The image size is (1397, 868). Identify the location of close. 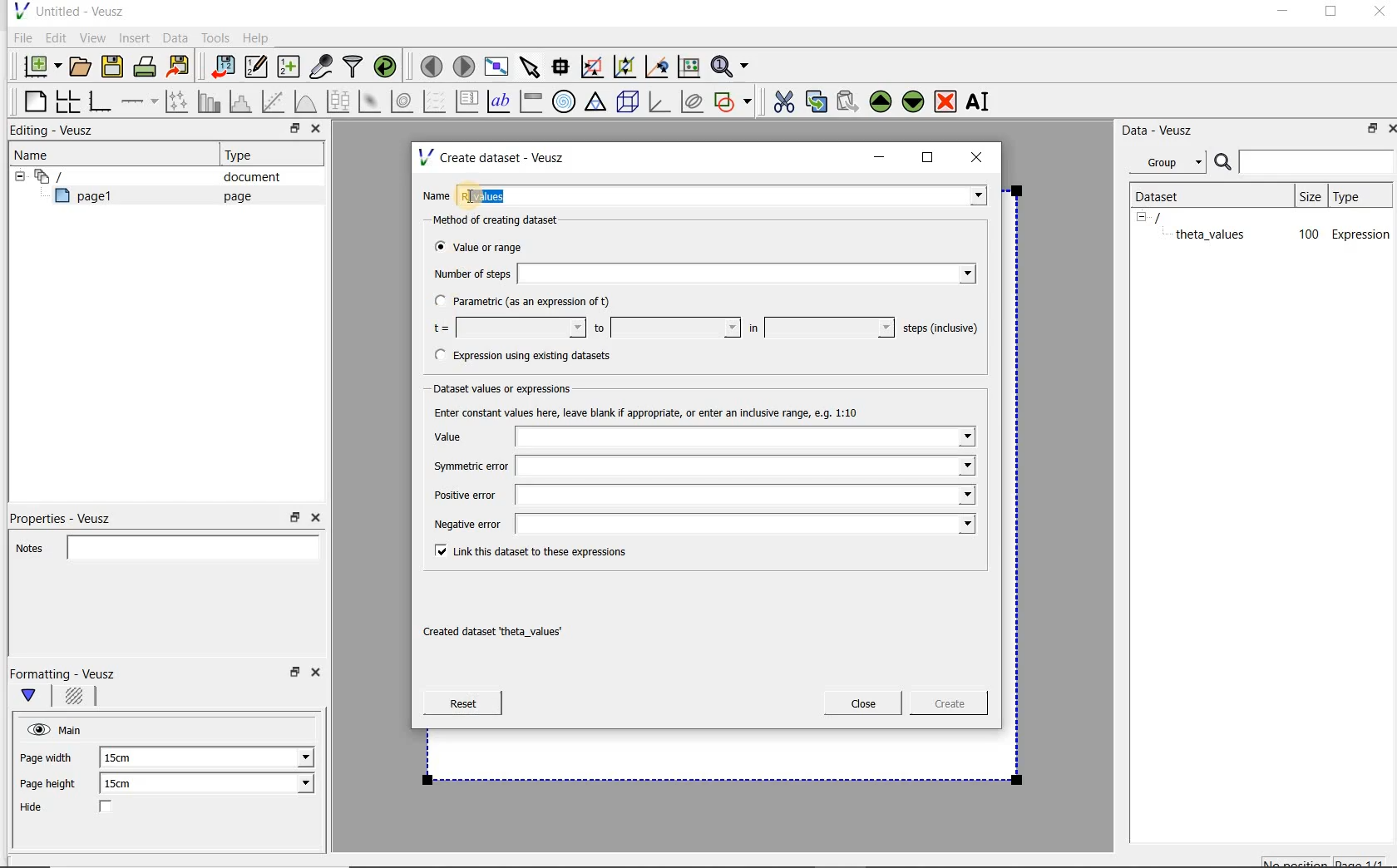
(982, 156).